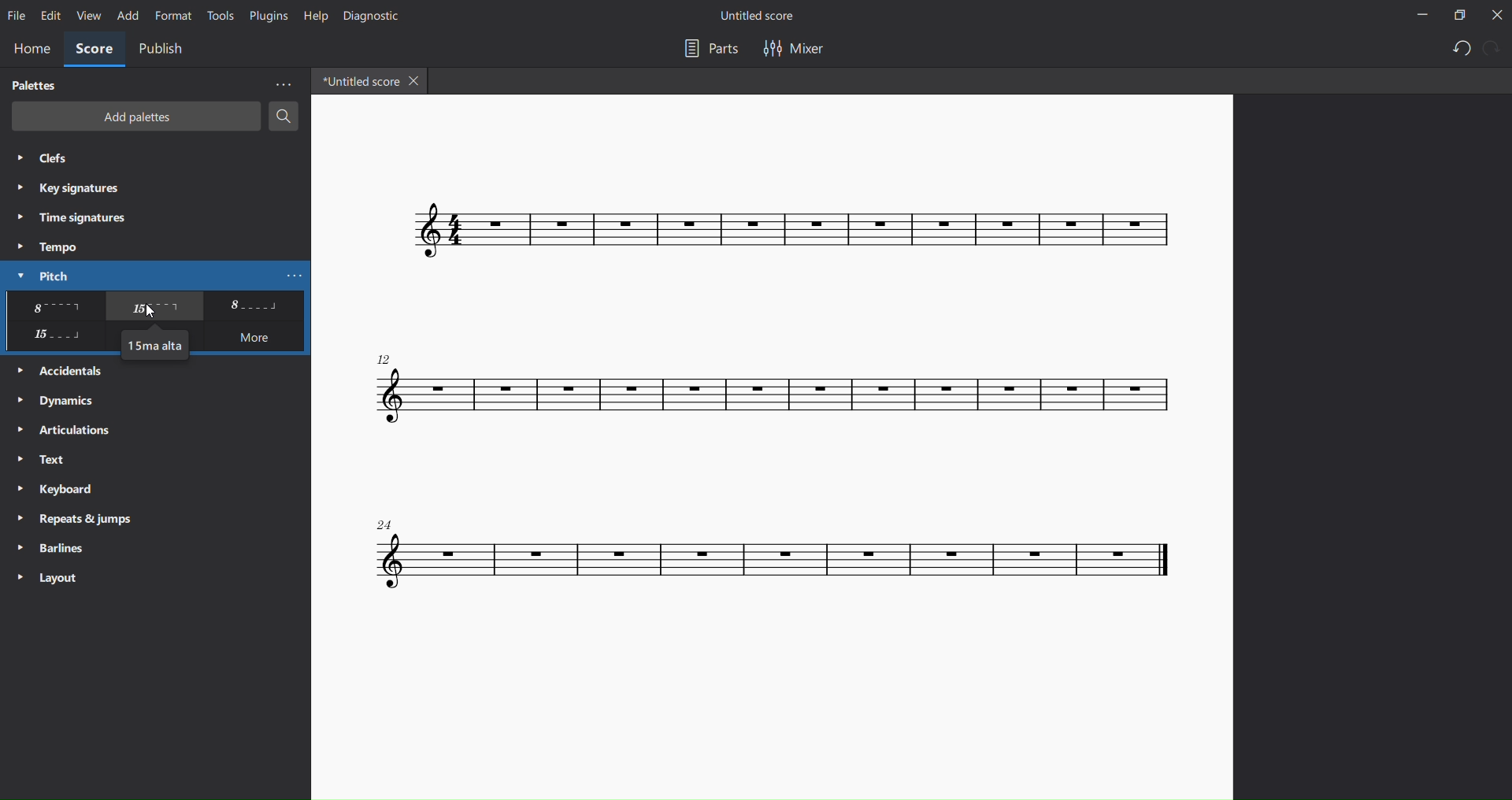 The height and width of the screenshot is (800, 1512). What do you see at coordinates (87, 16) in the screenshot?
I see `view` at bounding box center [87, 16].